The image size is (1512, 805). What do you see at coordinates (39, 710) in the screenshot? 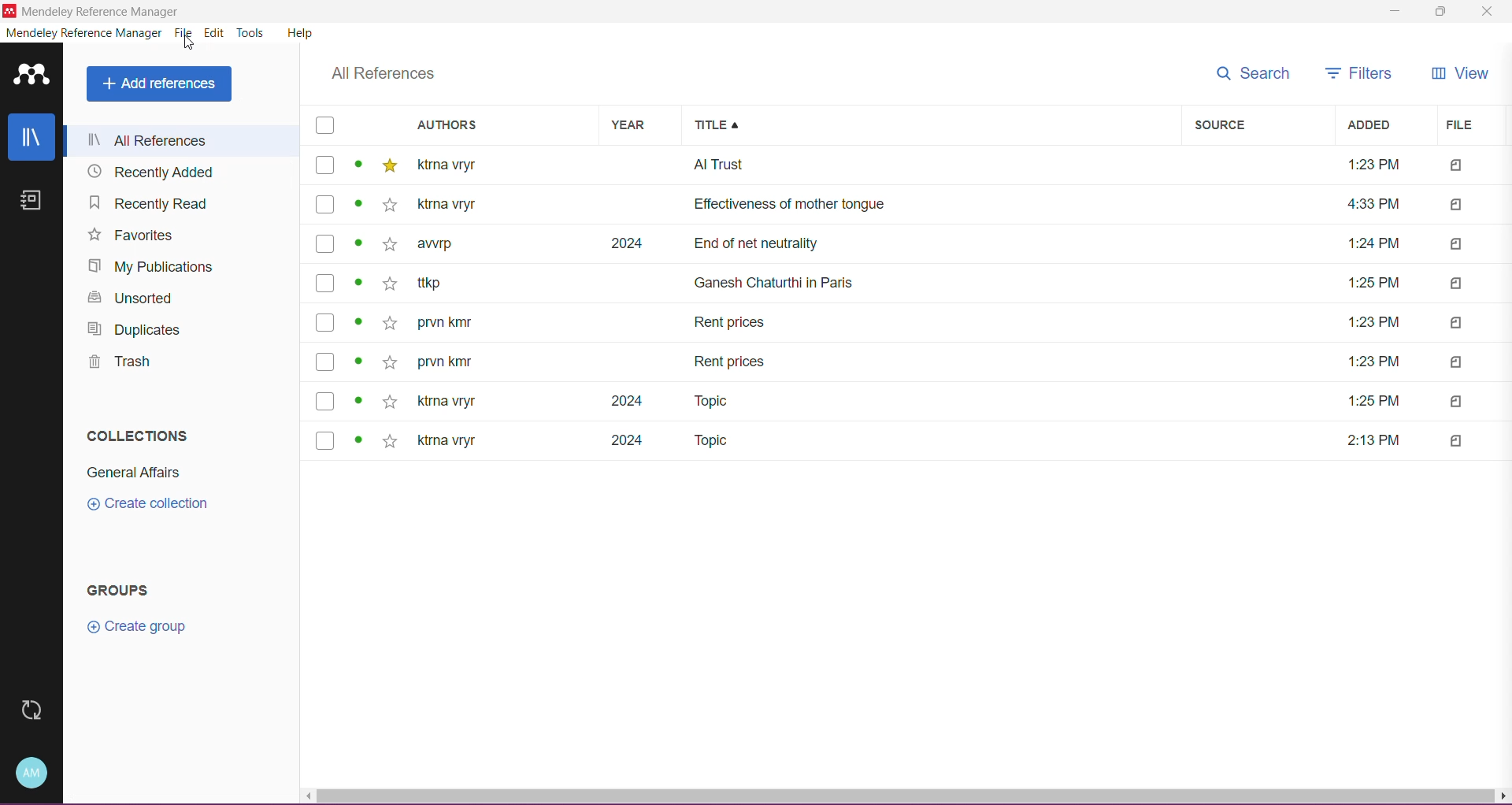
I see `Last Sync` at bounding box center [39, 710].